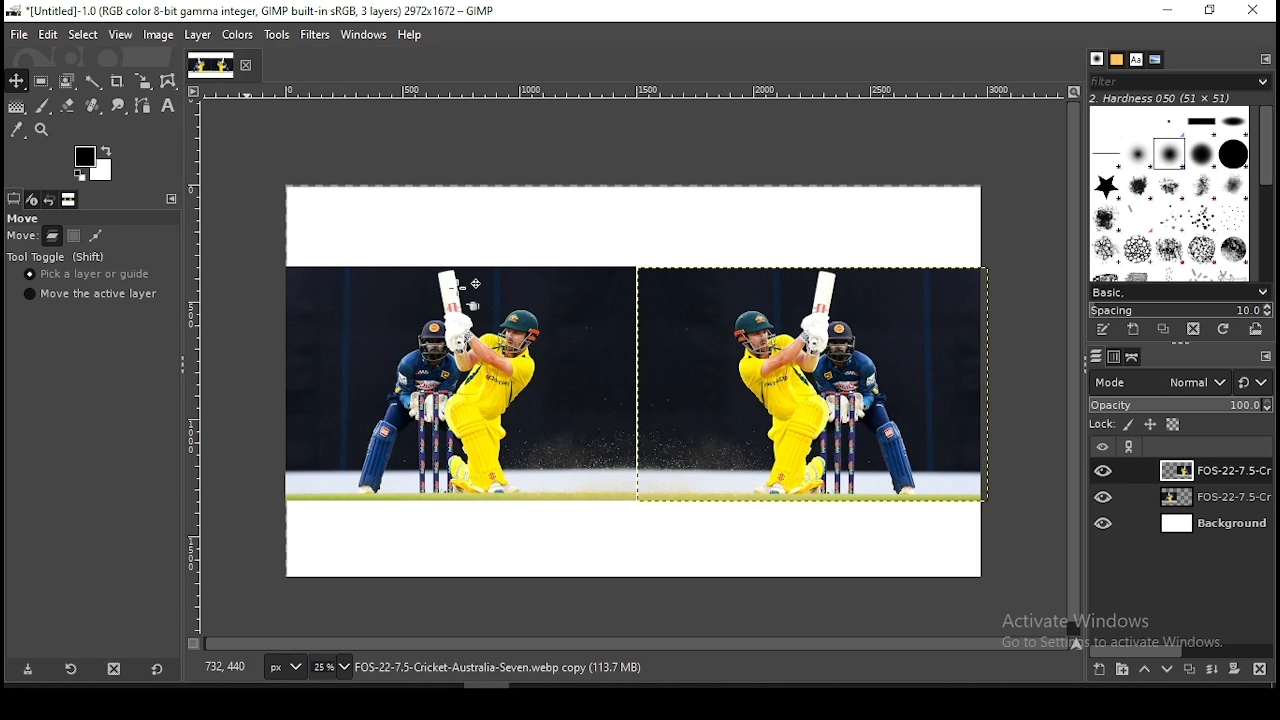 The image size is (1280, 720). I want to click on text tool, so click(166, 107).